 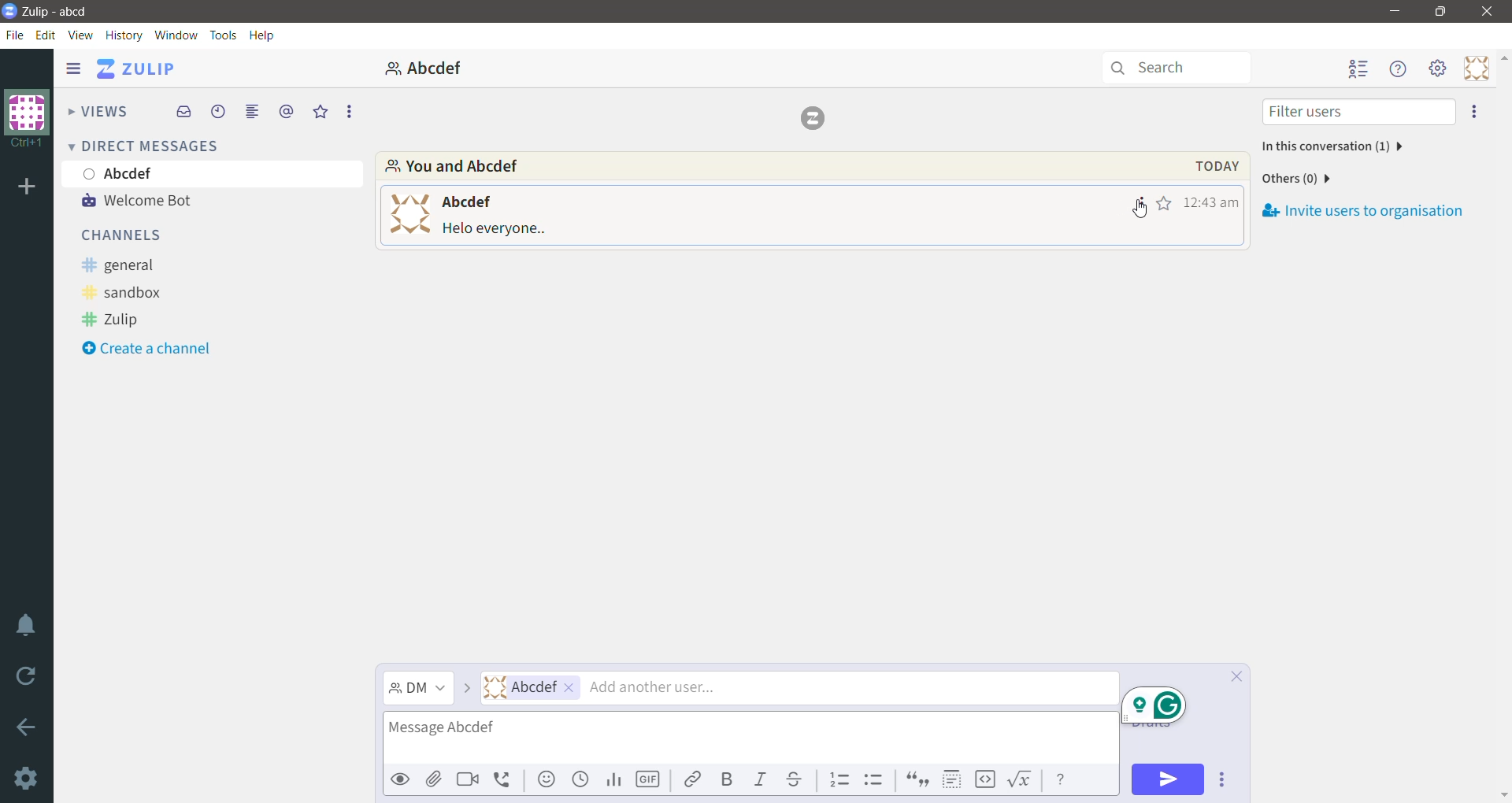 What do you see at coordinates (9, 13) in the screenshot?
I see `Application Logo` at bounding box center [9, 13].